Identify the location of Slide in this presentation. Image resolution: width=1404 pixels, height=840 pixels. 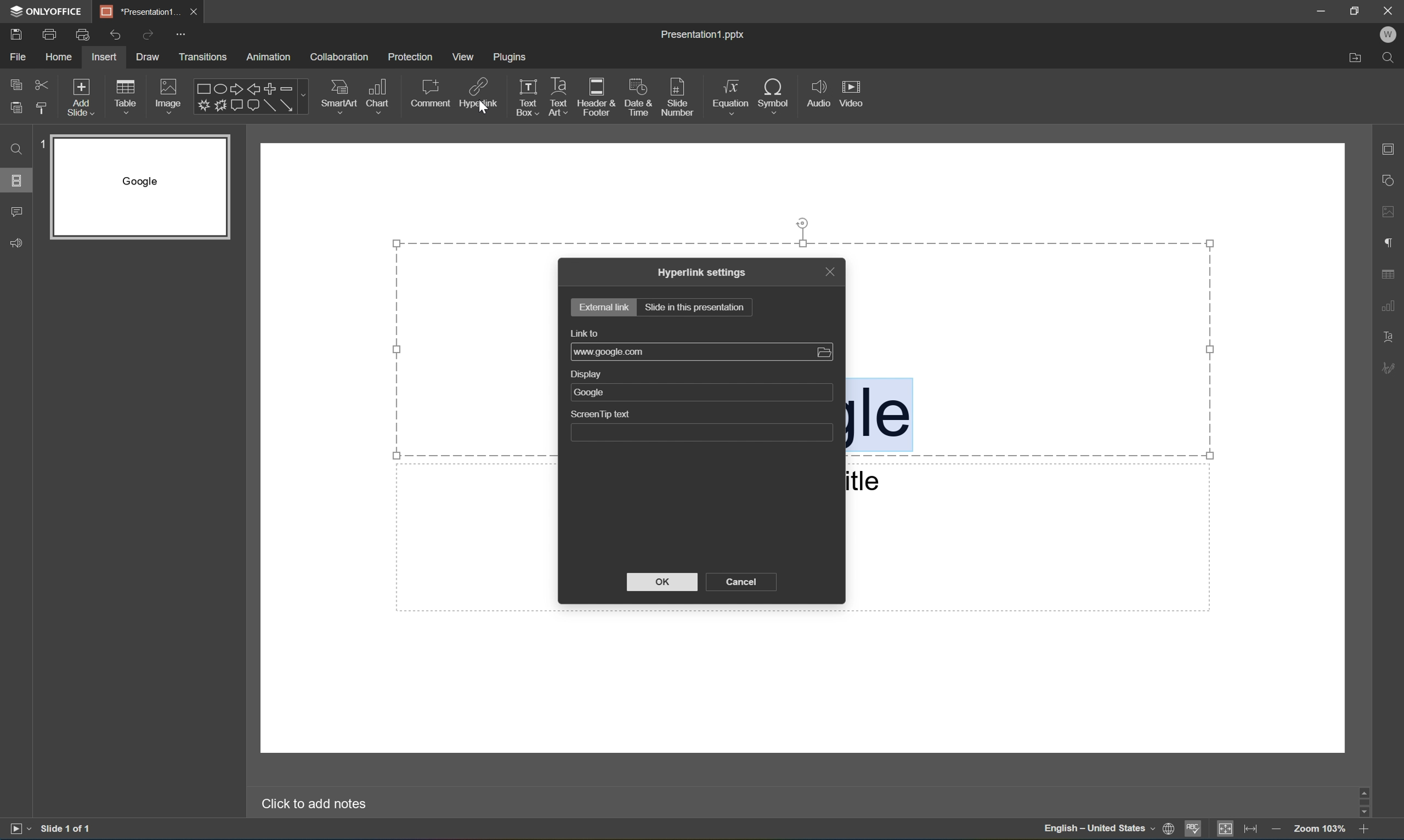
(695, 307).